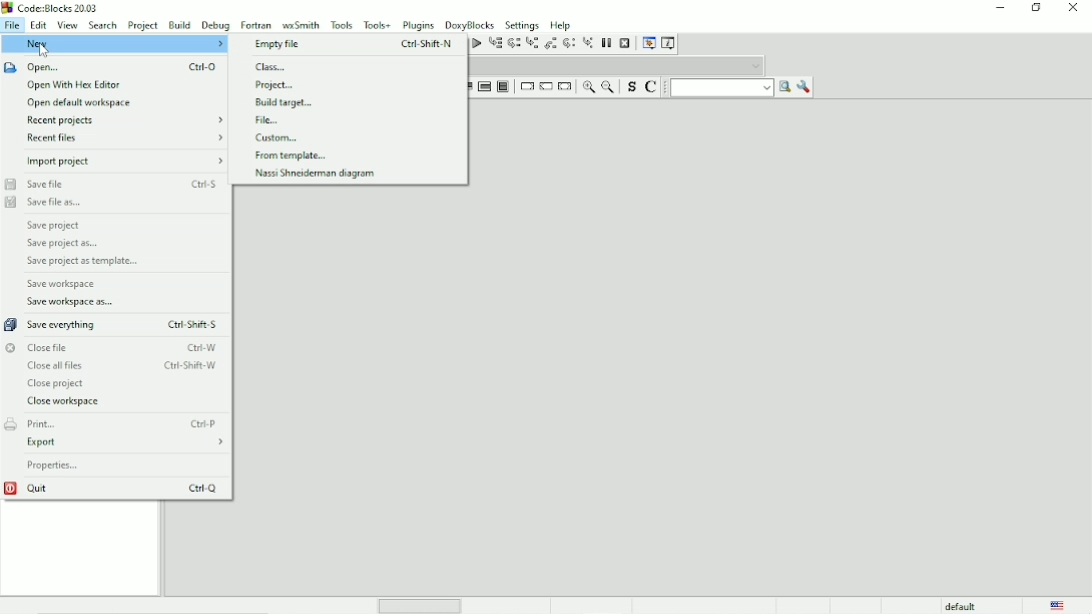  Describe the element at coordinates (563, 24) in the screenshot. I see `Help` at that location.